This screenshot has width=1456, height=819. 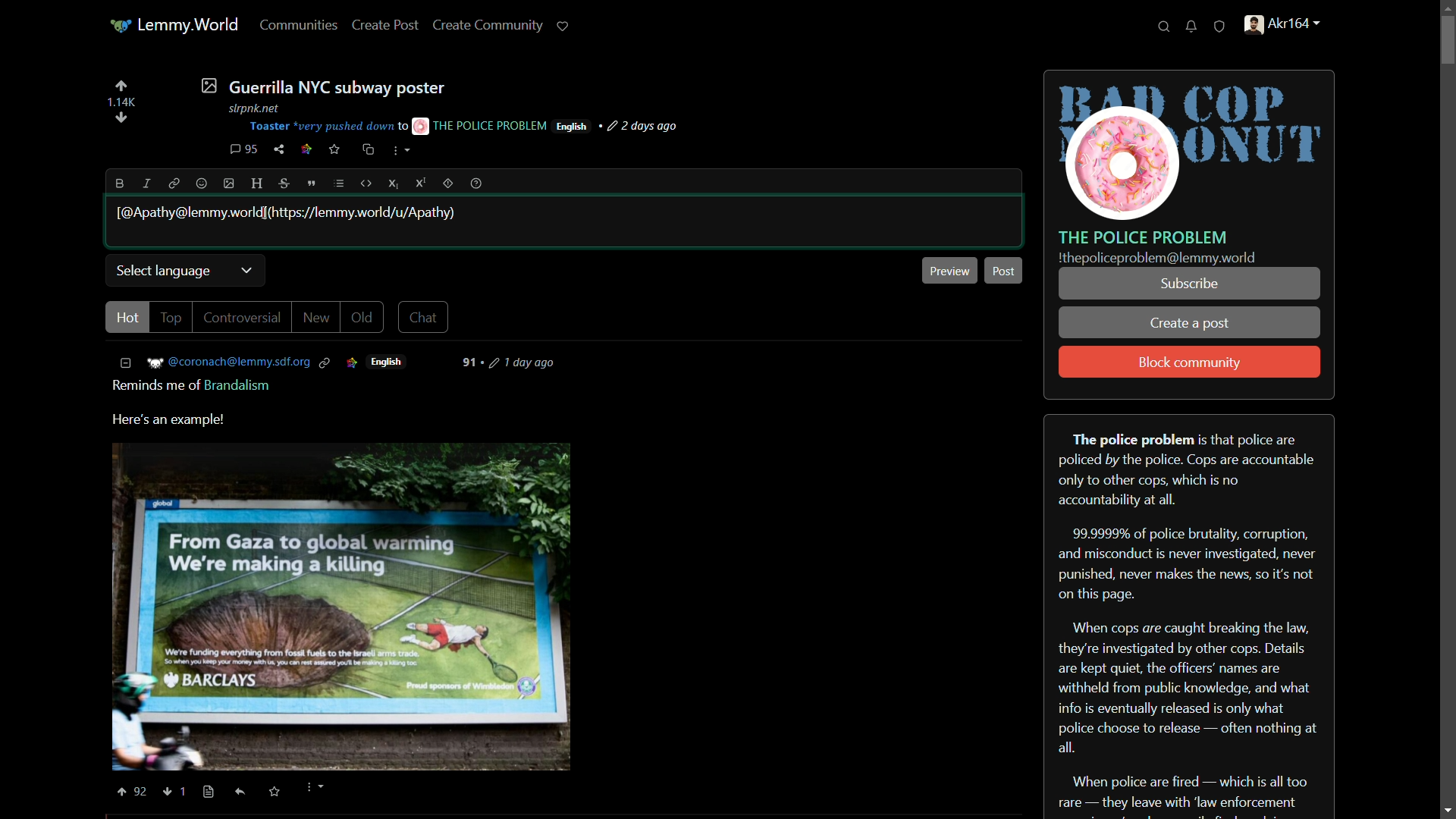 I want to click on , so click(x=189, y=789).